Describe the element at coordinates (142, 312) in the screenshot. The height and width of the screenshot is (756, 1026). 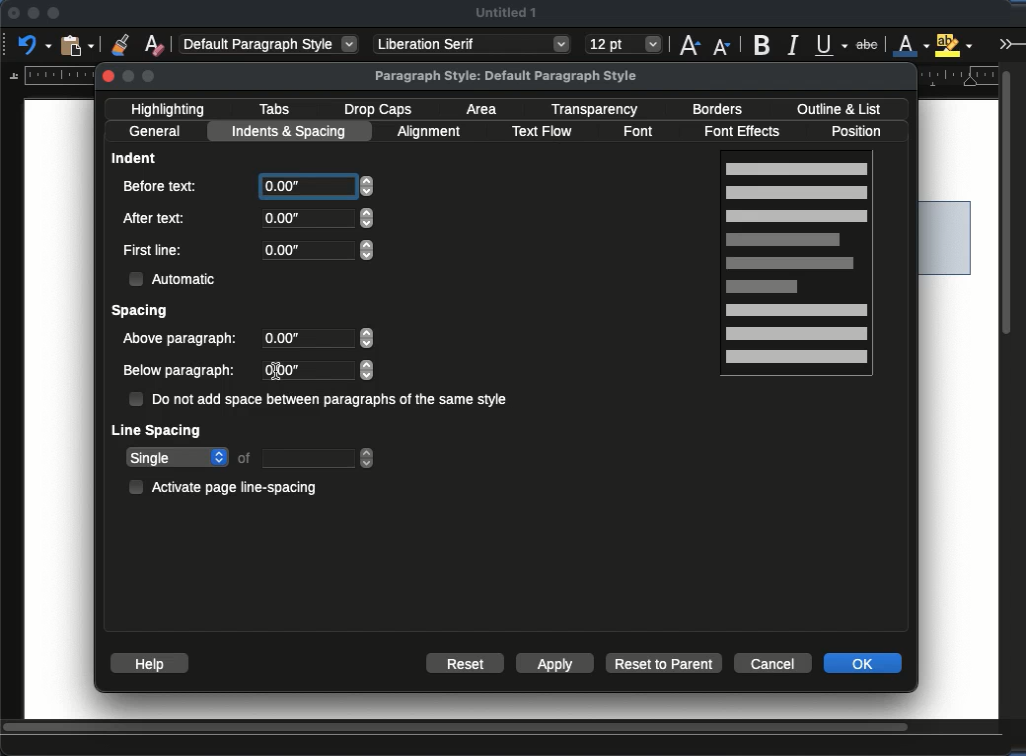
I see `spacing` at that location.